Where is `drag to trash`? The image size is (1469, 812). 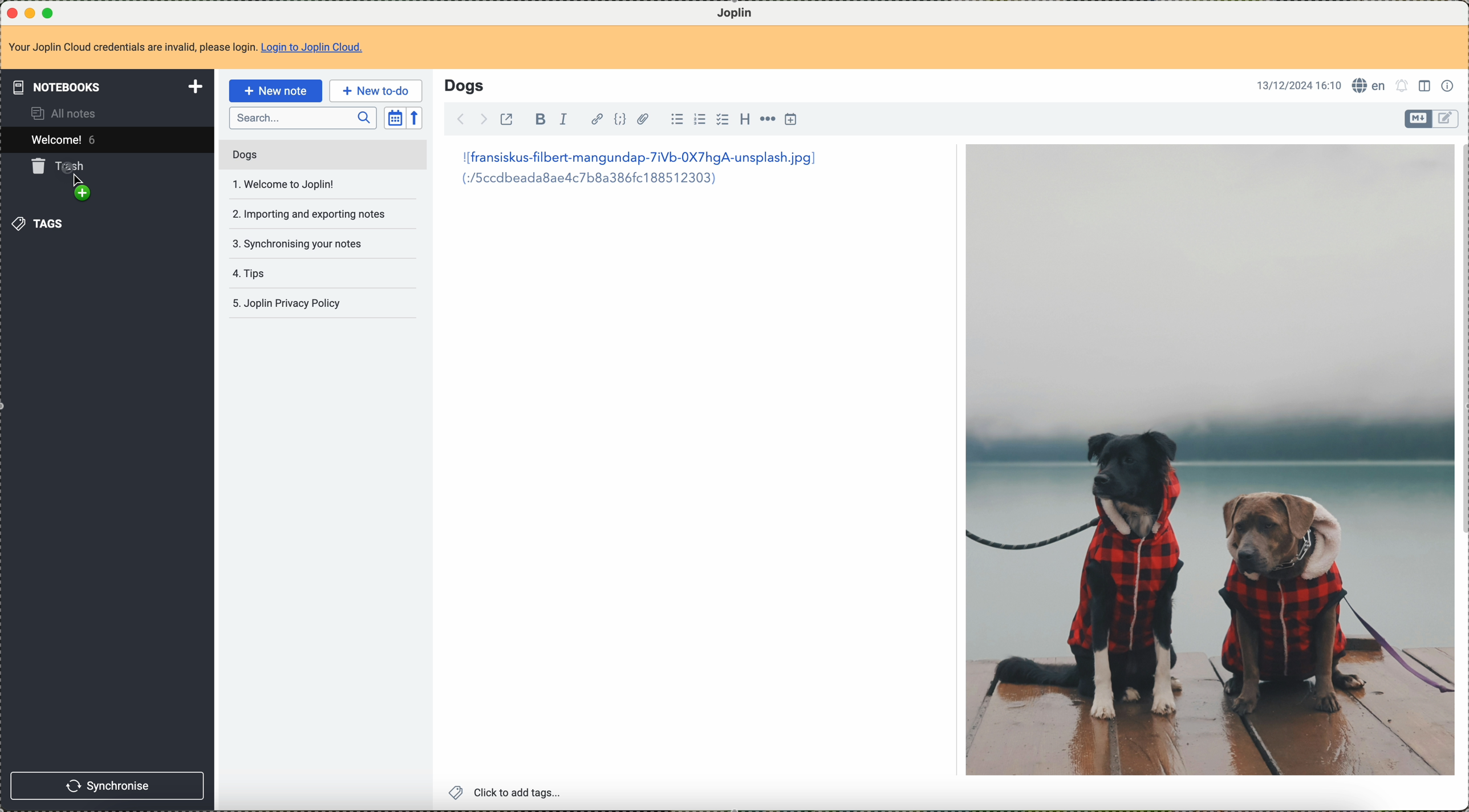
drag to trash is located at coordinates (60, 182).